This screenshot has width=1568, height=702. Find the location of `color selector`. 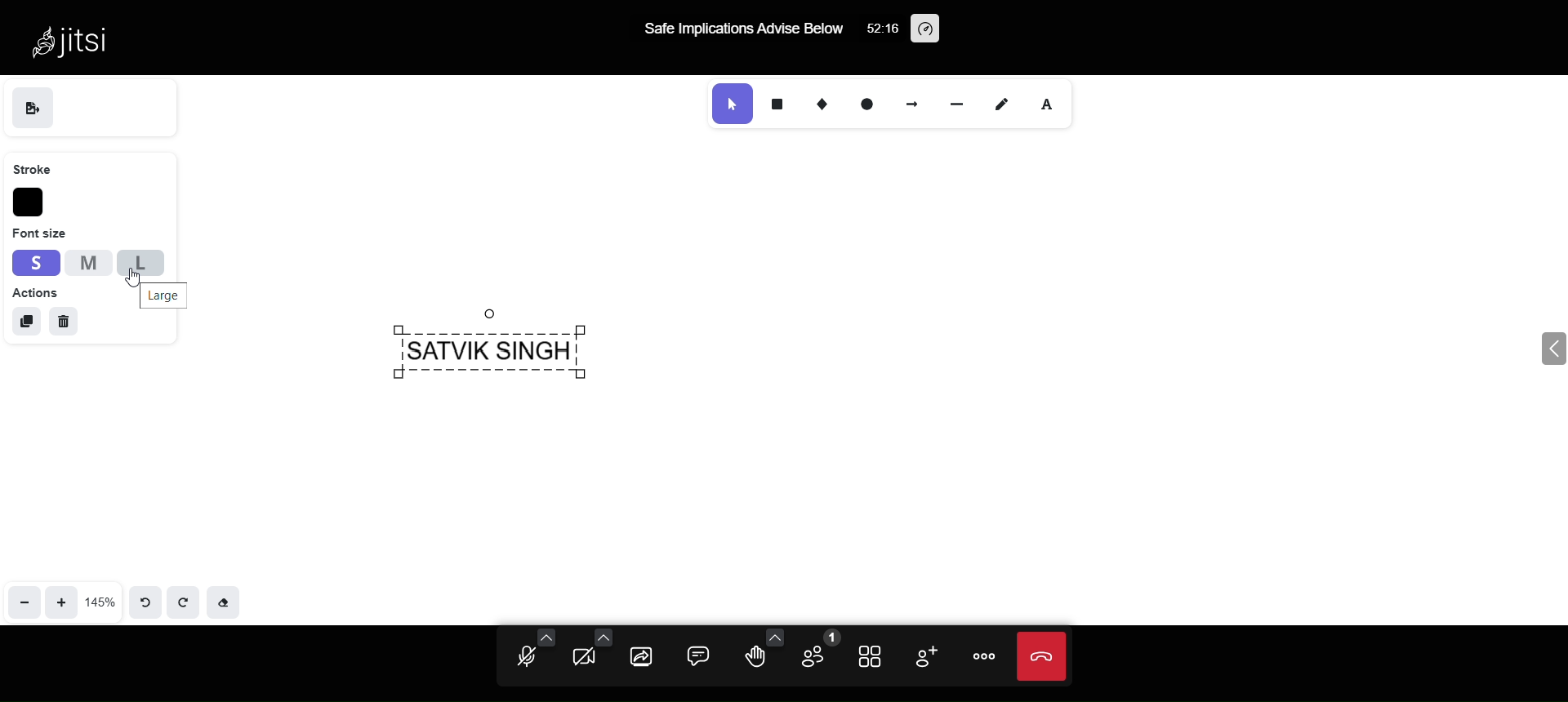

color selector is located at coordinates (30, 203).